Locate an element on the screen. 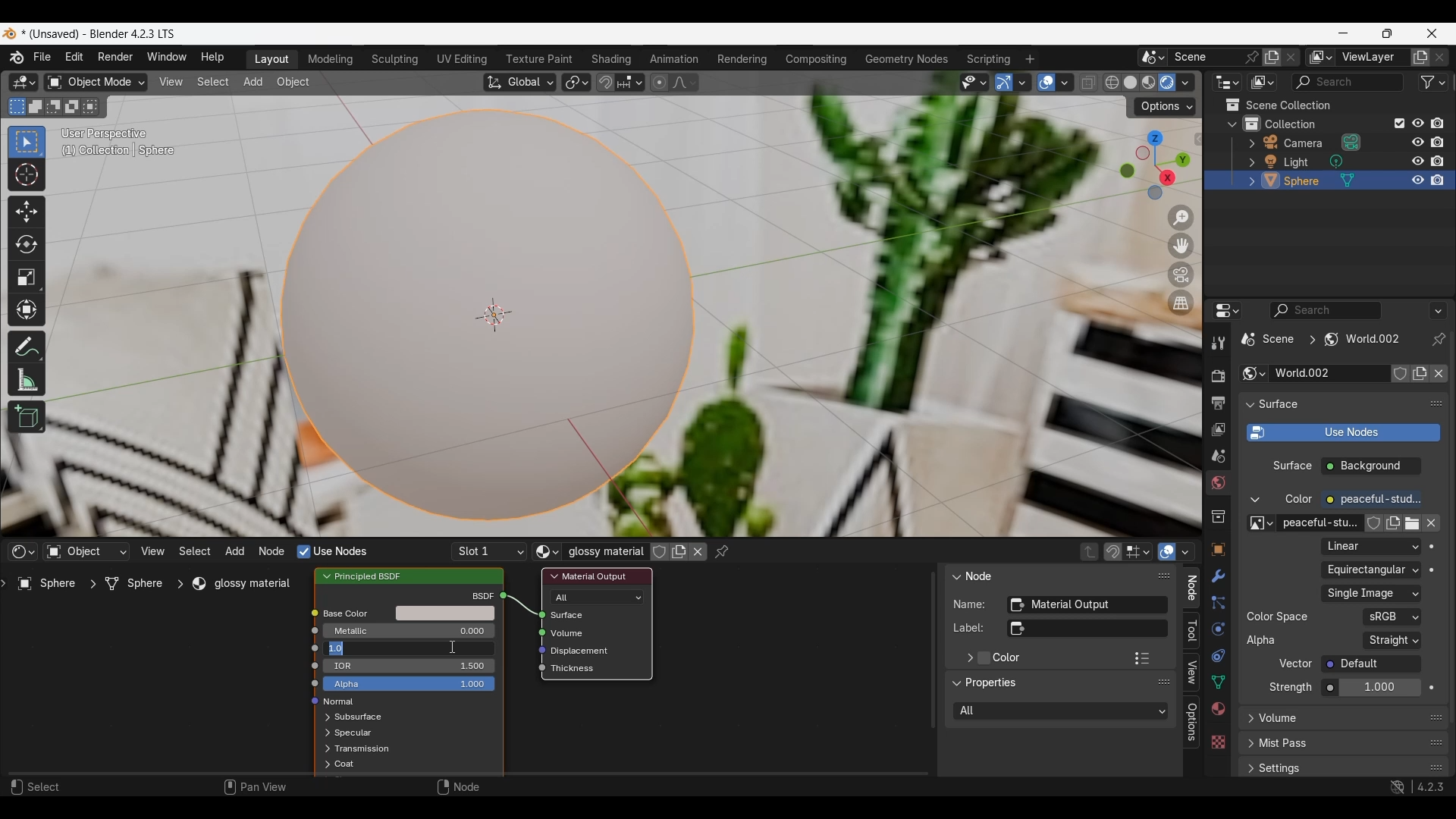 This screenshot has width=1456, height=819. camera is located at coordinates (1305, 143).